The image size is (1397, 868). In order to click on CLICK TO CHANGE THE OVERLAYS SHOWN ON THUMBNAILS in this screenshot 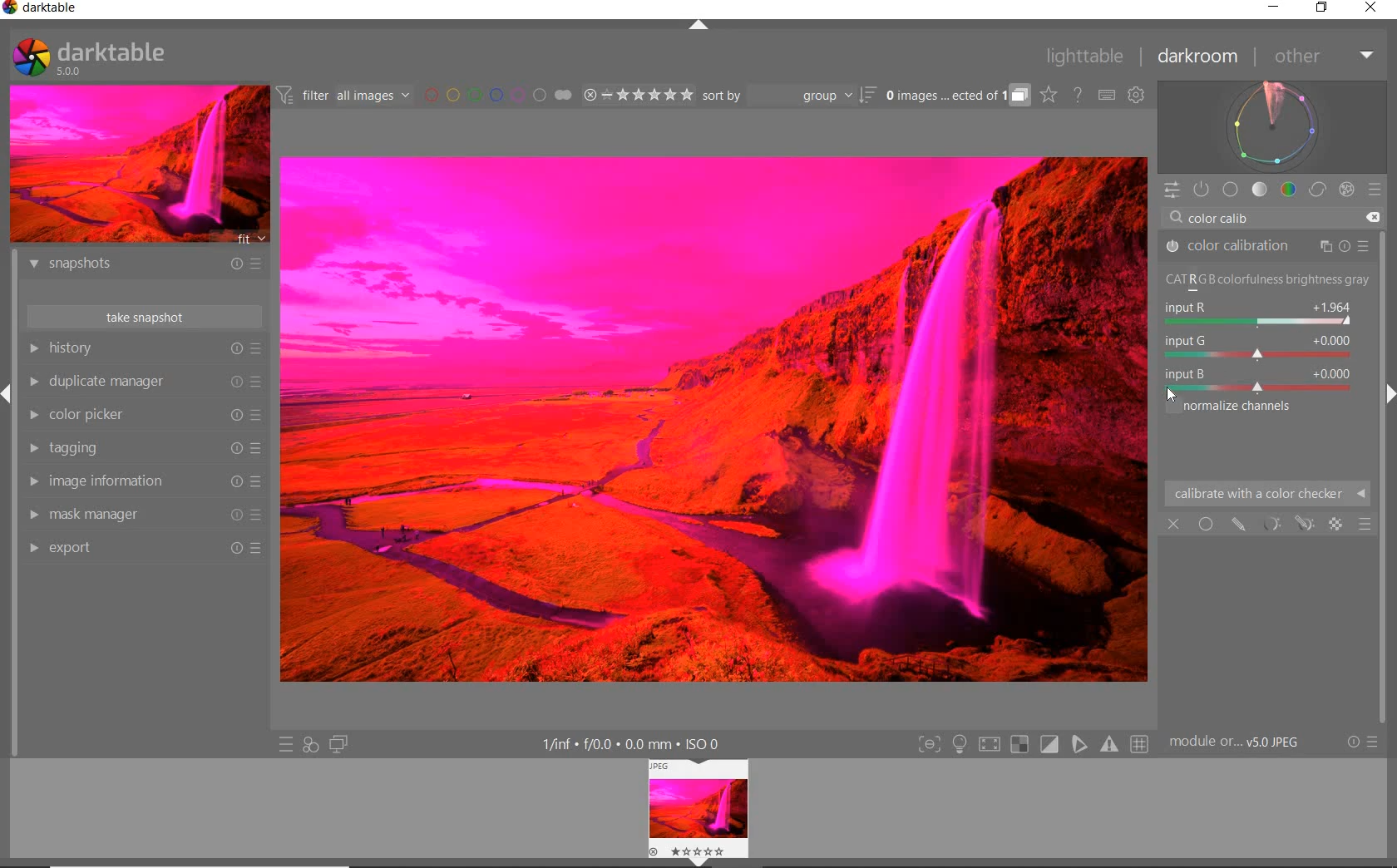, I will do `click(1049, 95)`.